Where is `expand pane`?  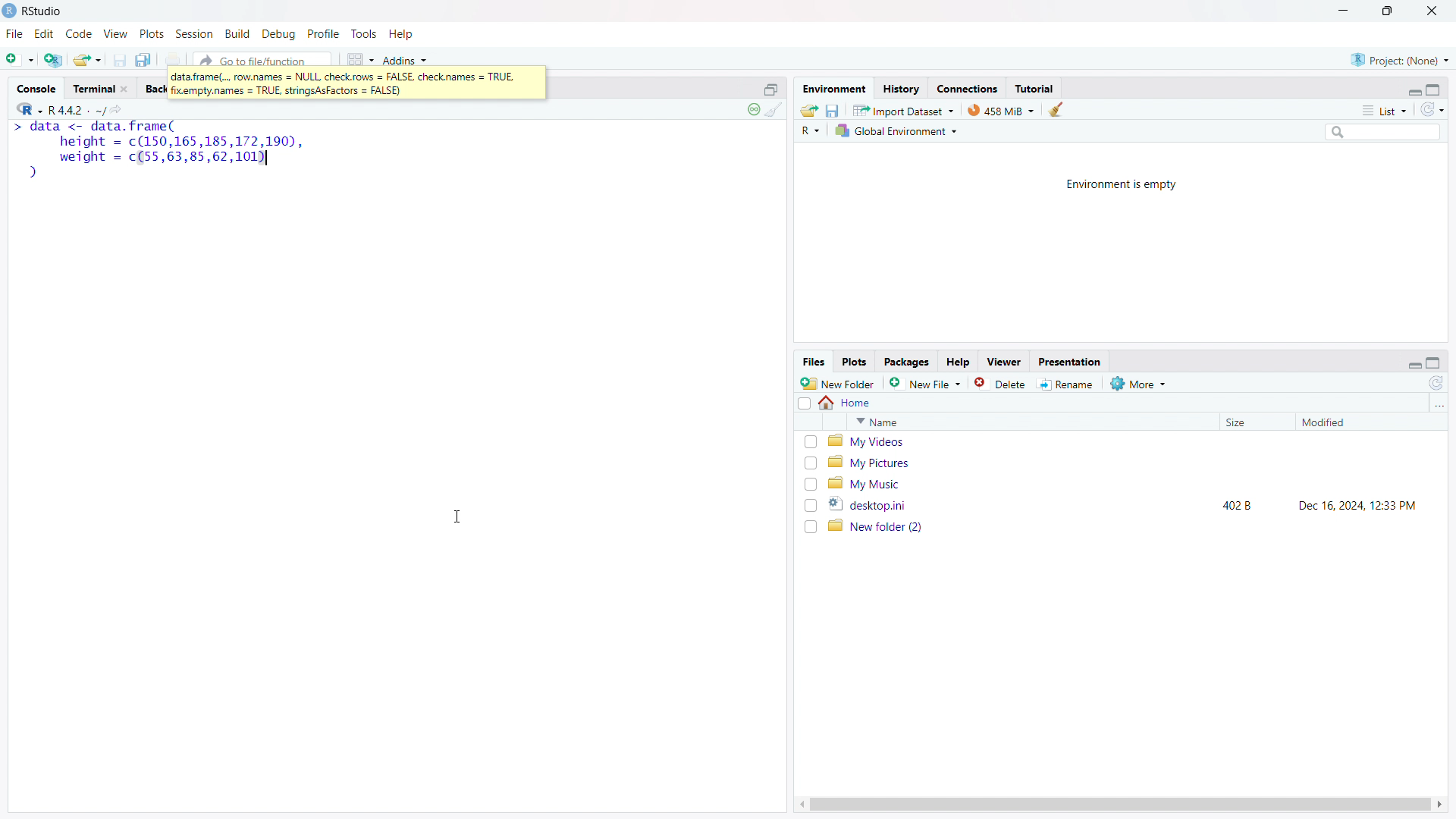 expand pane is located at coordinates (1436, 363).